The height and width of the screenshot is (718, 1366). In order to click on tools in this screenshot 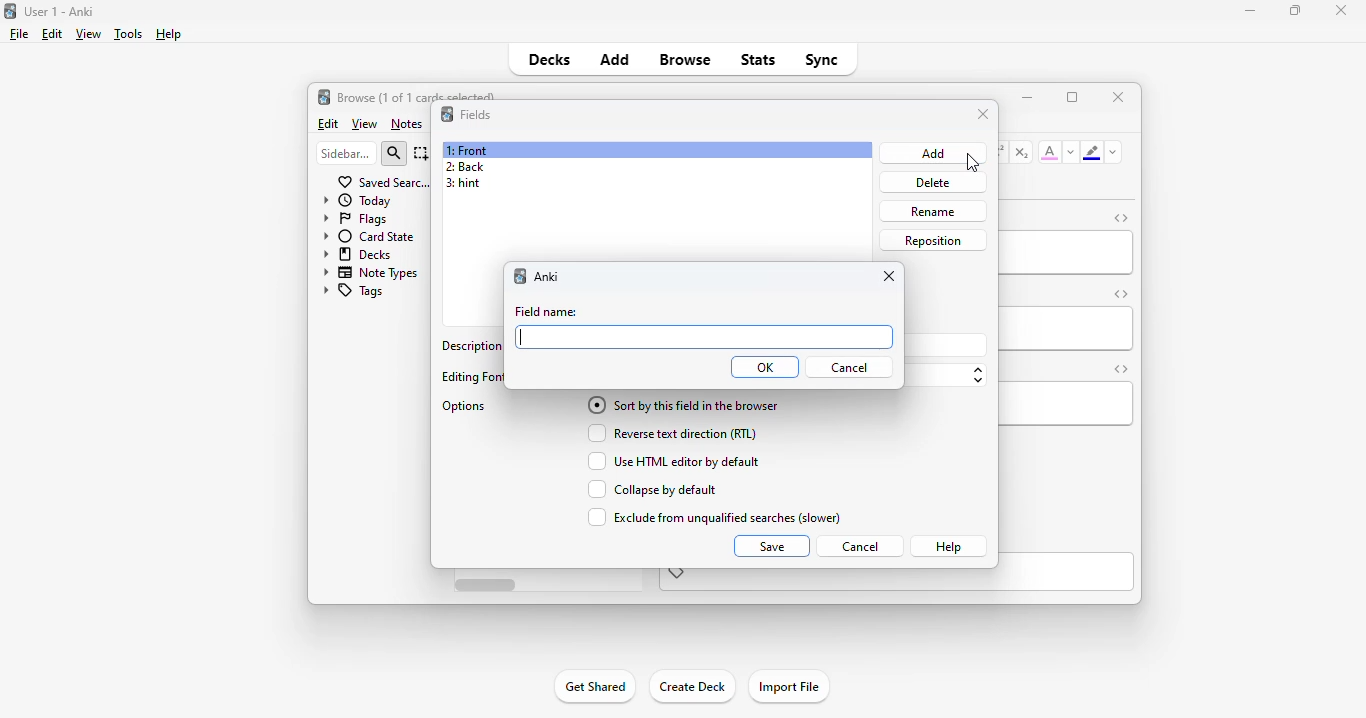, I will do `click(129, 34)`.